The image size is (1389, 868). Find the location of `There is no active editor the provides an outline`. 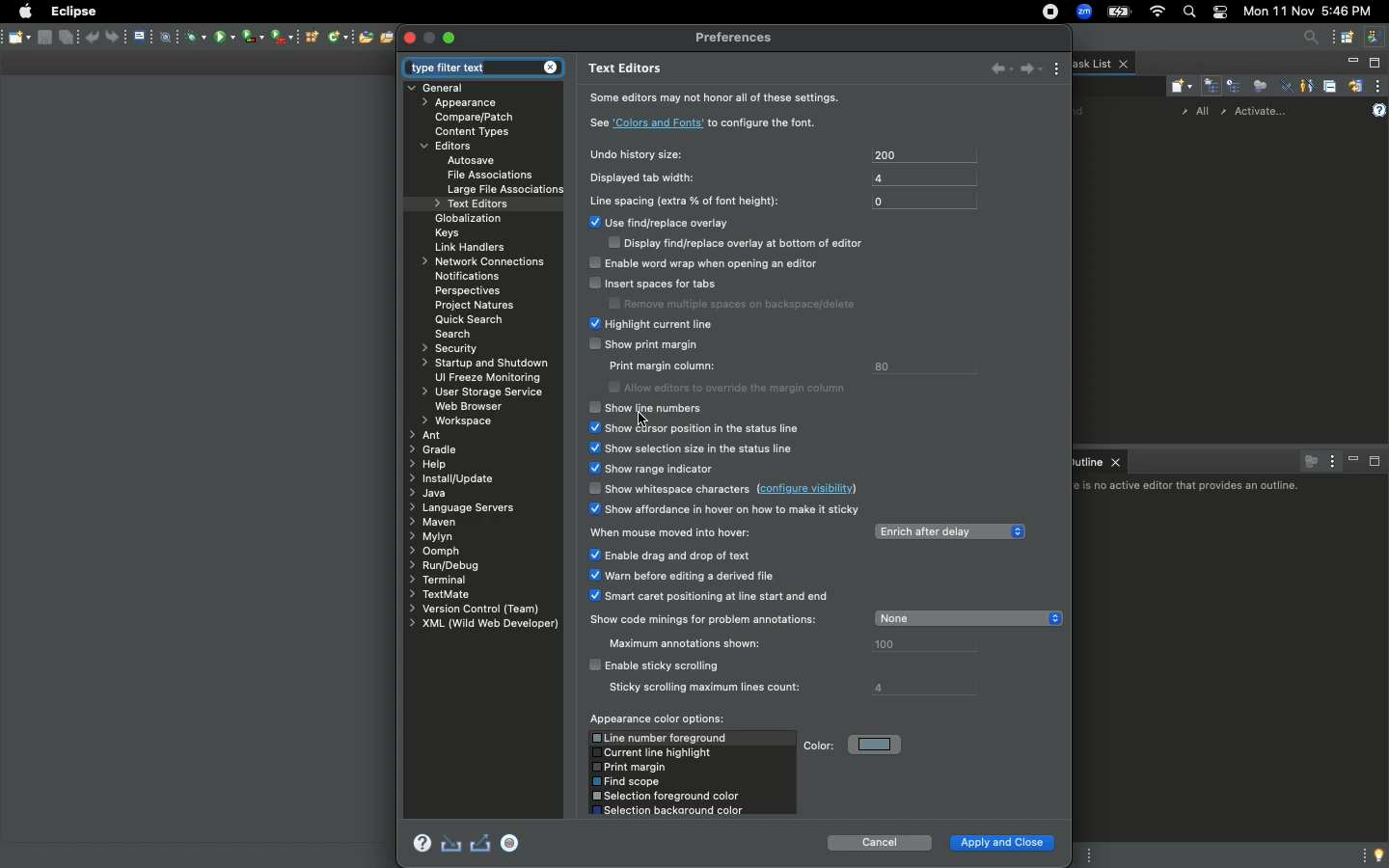

There is no active editor the provides an outline is located at coordinates (1190, 487).